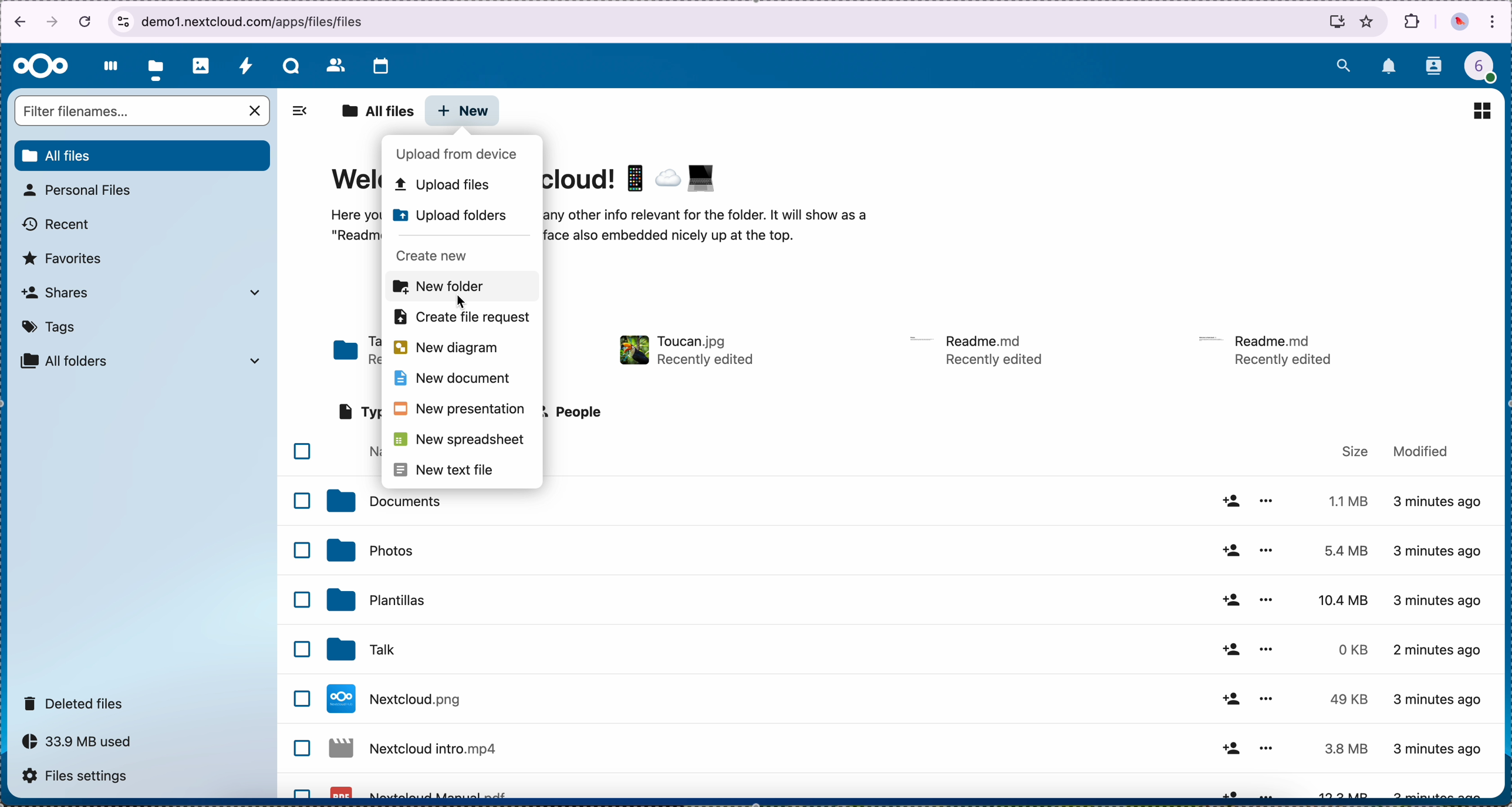 The height and width of the screenshot is (807, 1512). What do you see at coordinates (369, 550) in the screenshot?
I see `photos` at bounding box center [369, 550].